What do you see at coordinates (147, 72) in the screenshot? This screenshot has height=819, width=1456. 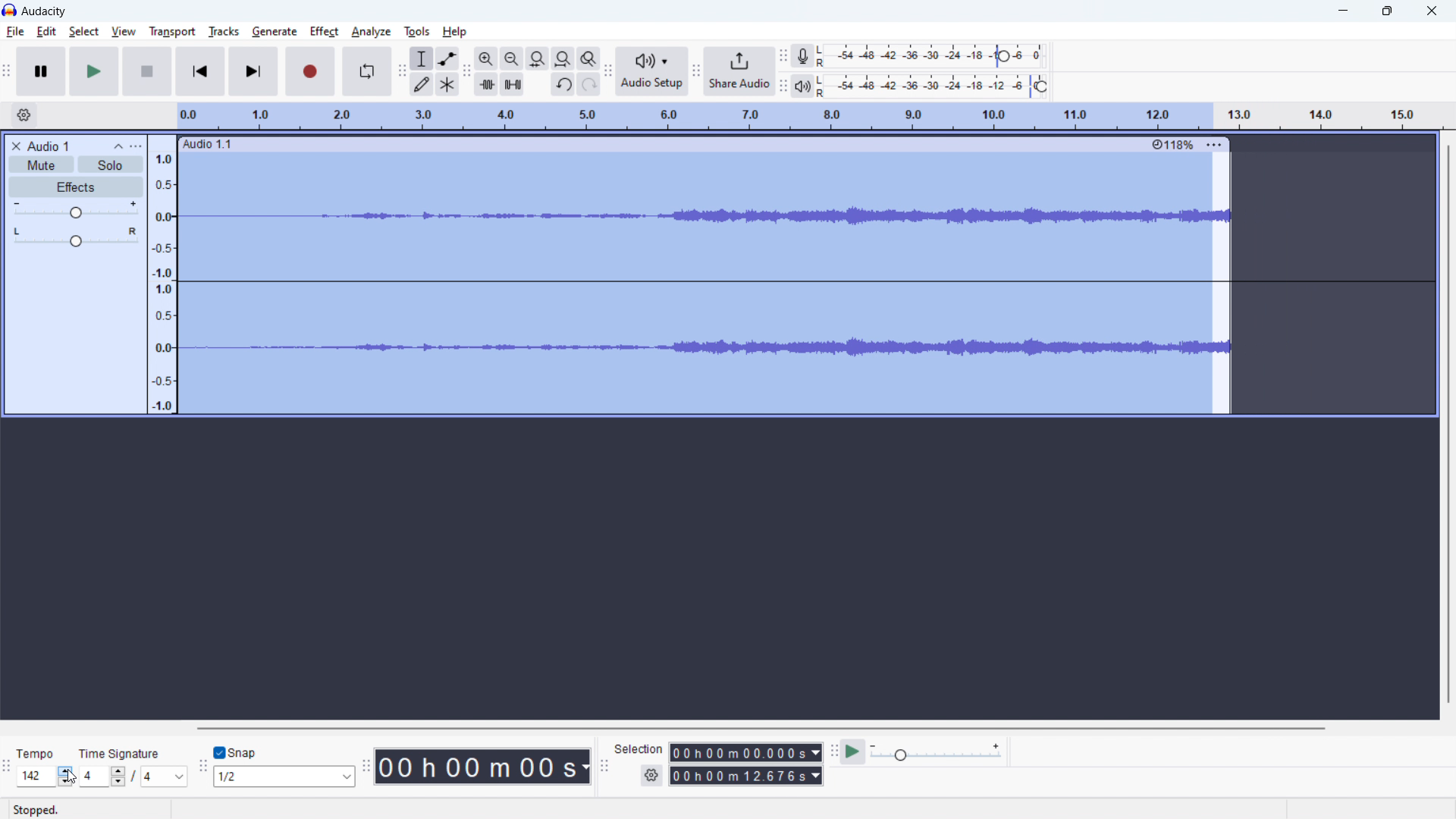 I see `Pause` at bounding box center [147, 72].